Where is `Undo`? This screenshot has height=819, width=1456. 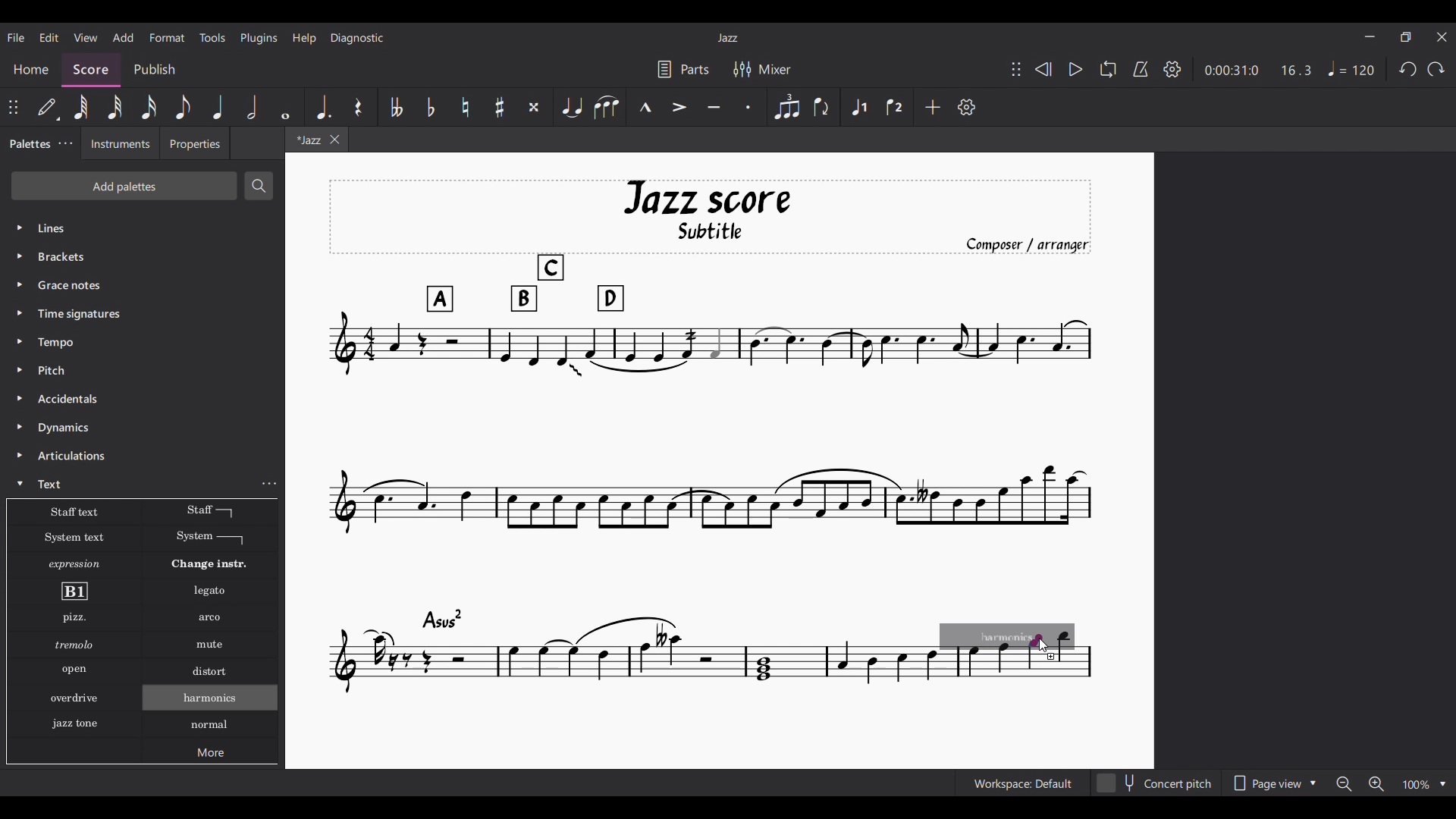 Undo is located at coordinates (1408, 69).